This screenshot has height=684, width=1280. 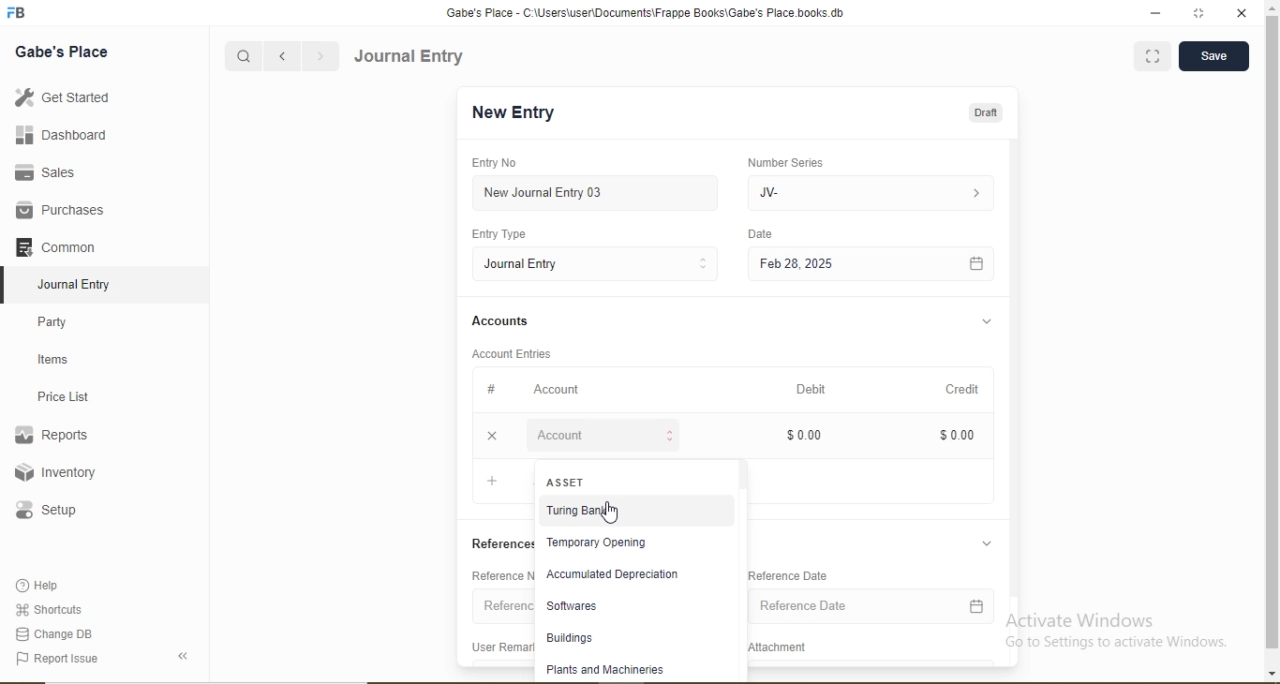 What do you see at coordinates (42, 172) in the screenshot?
I see `Sales` at bounding box center [42, 172].